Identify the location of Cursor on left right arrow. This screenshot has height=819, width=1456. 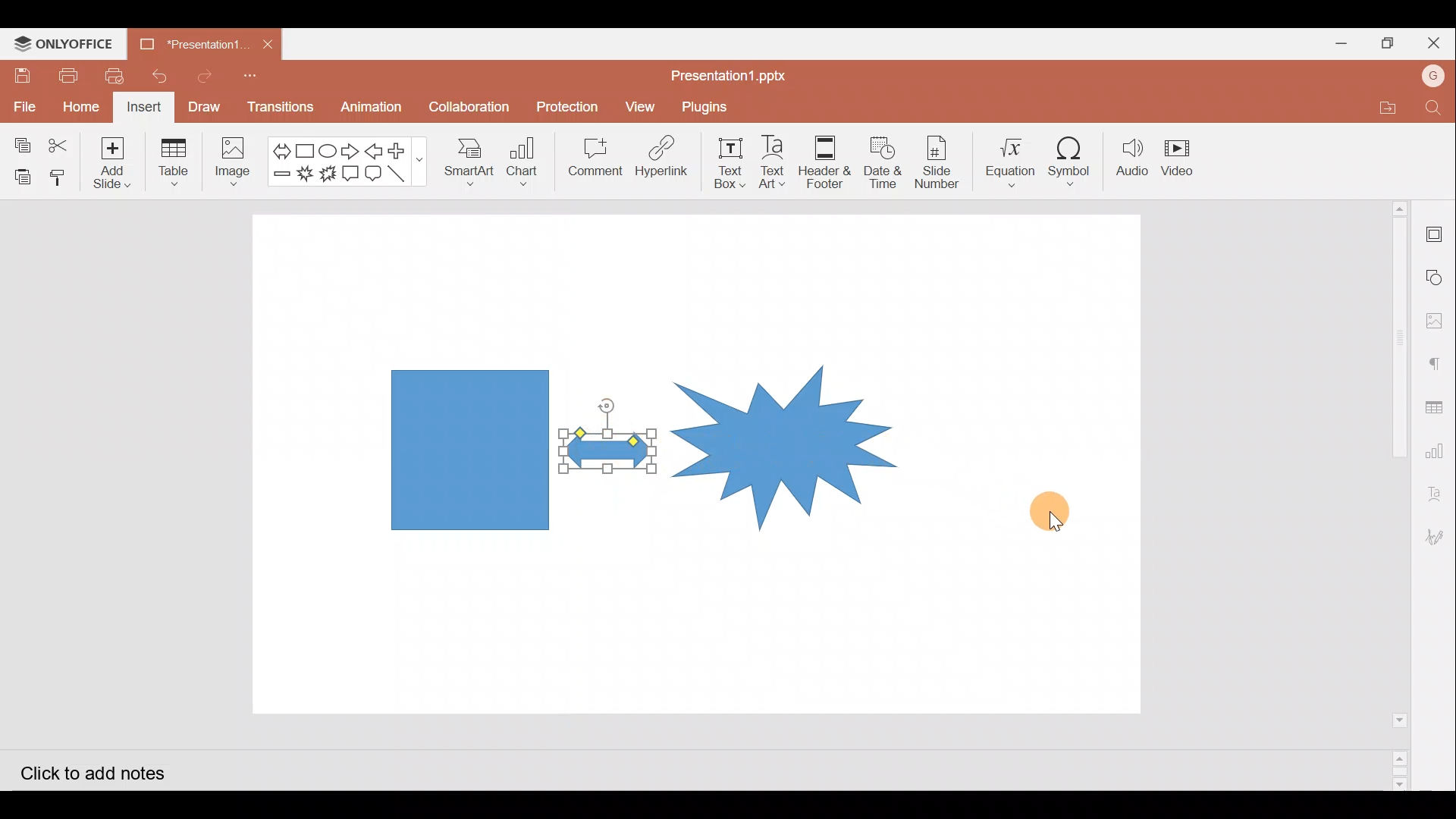
(601, 431).